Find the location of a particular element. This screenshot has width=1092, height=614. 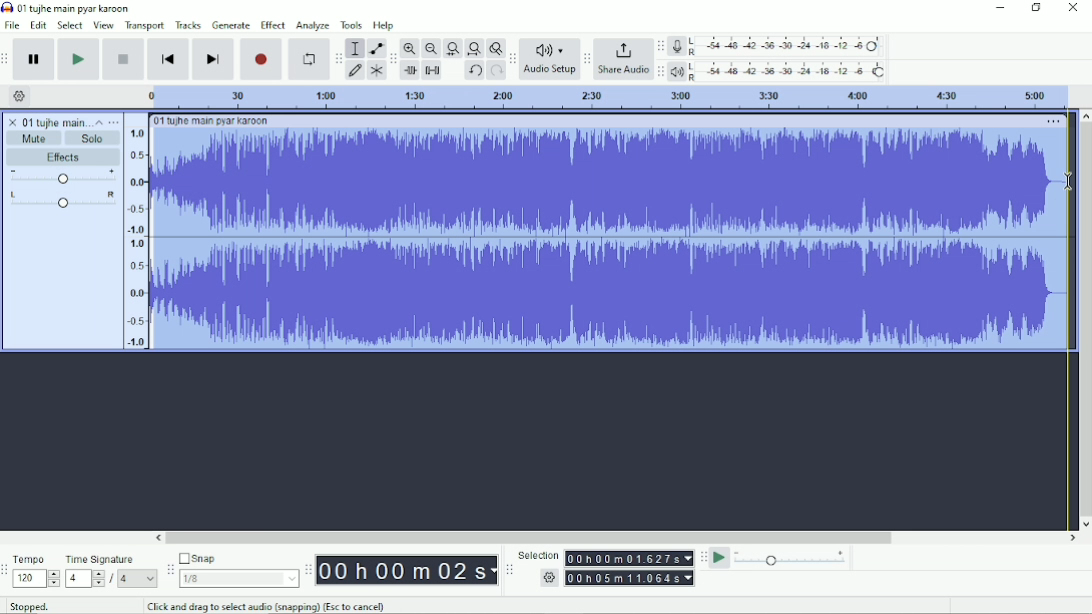

Selection tool is located at coordinates (355, 48).